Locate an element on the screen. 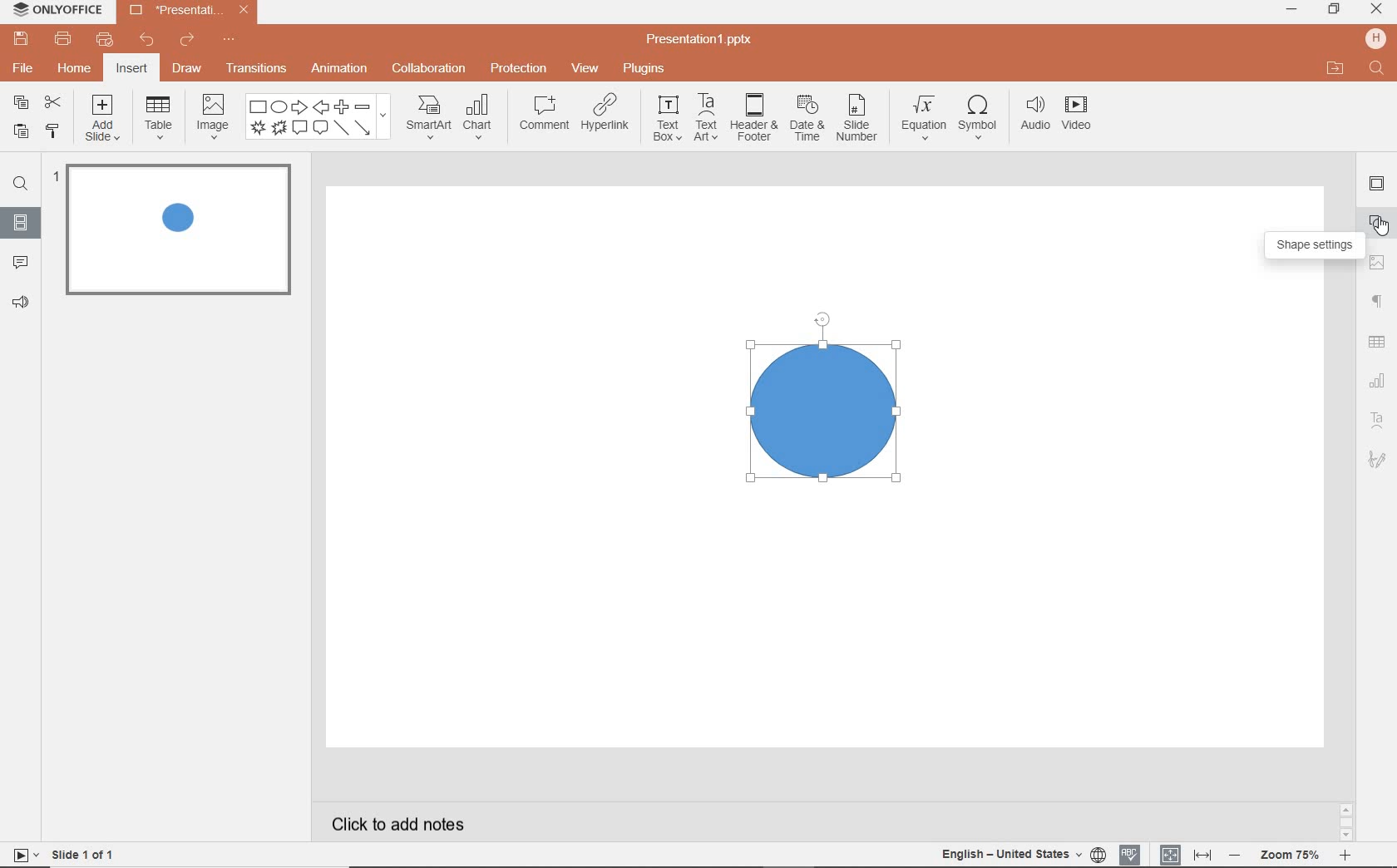 The width and height of the screenshot is (1397, 868). audio is located at coordinates (1033, 116).